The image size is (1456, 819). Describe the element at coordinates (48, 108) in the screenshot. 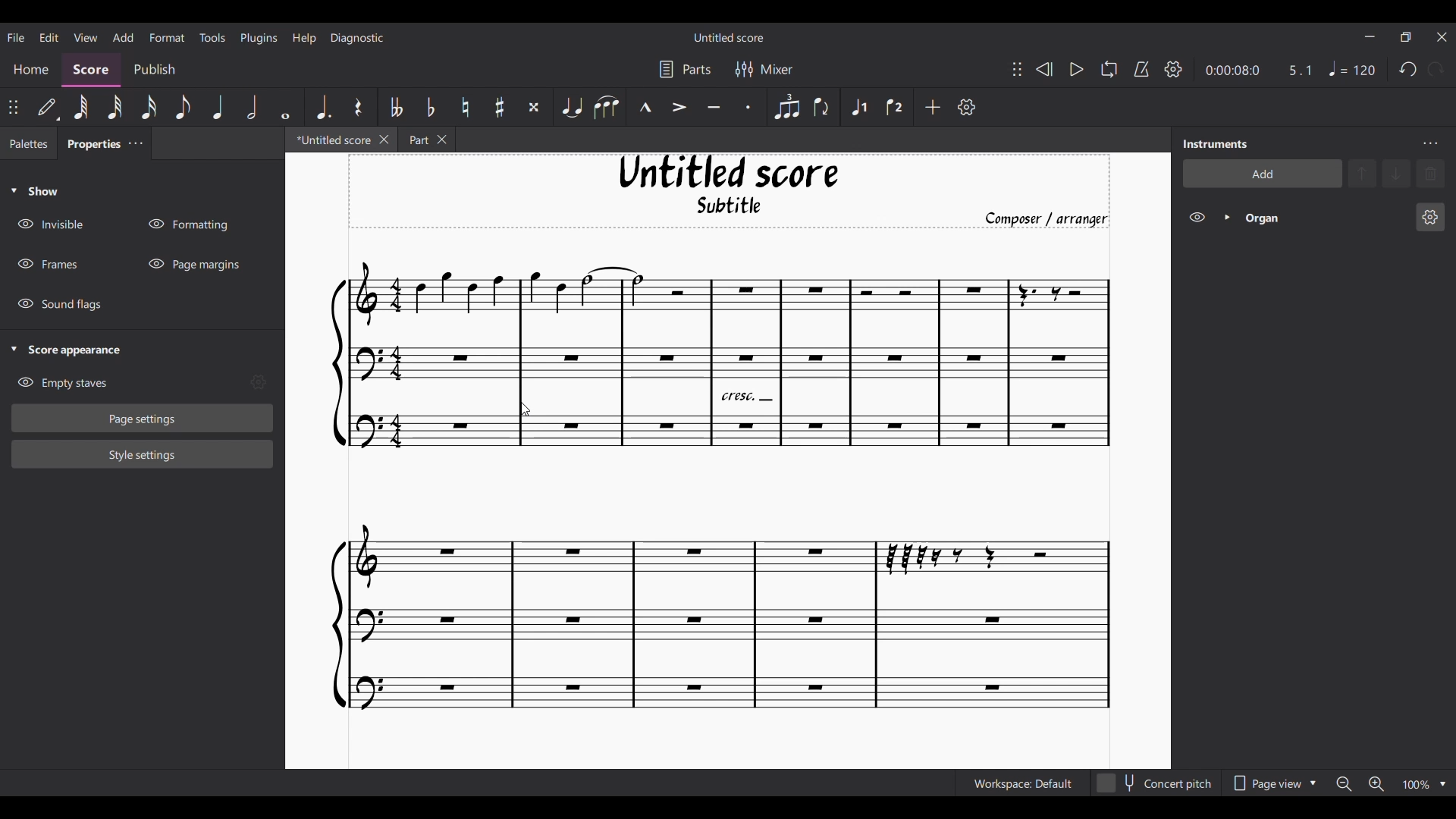

I see `Default` at that location.